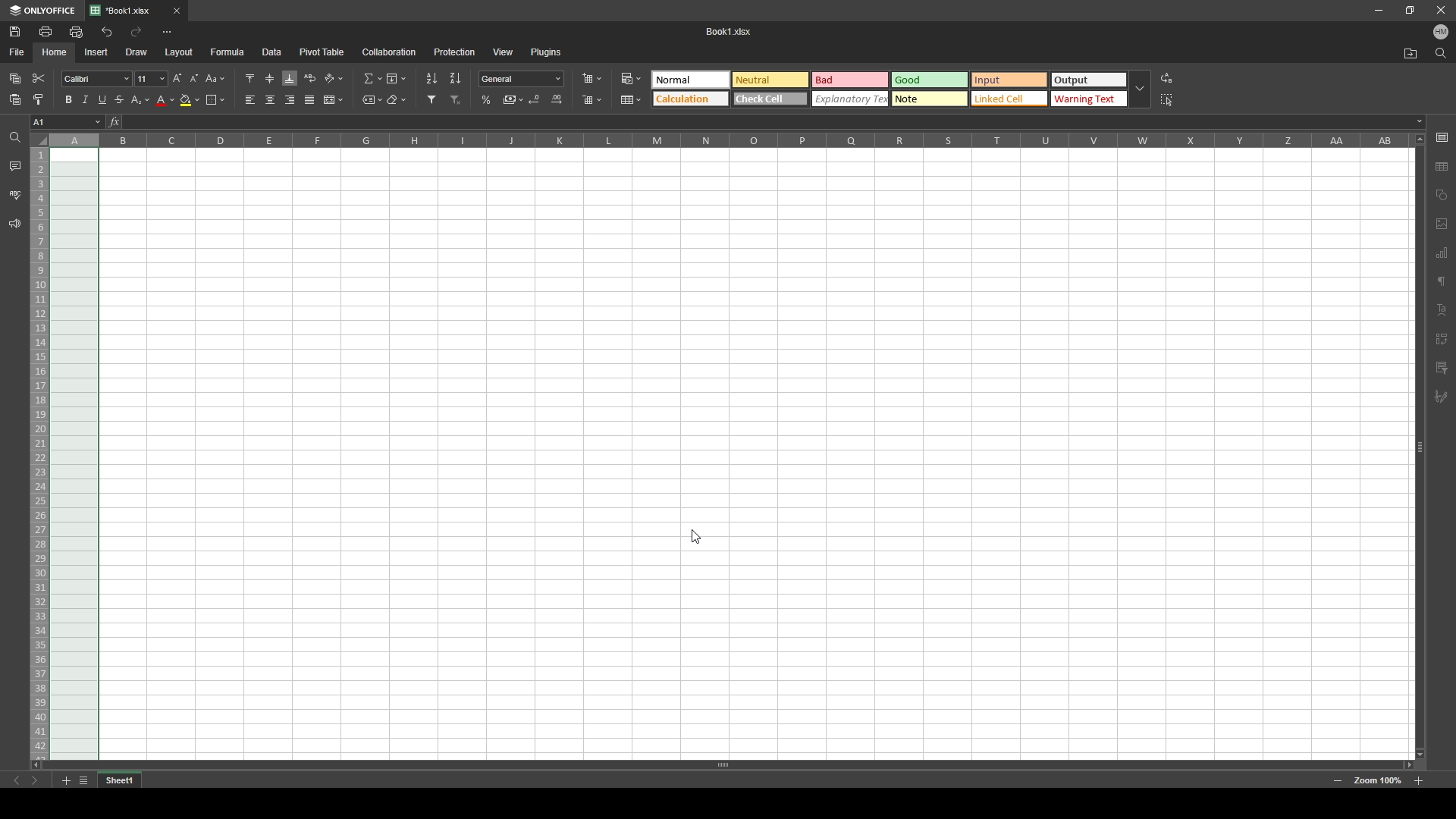 This screenshot has width=1456, height=819. I want to click on remove filter, so click(457, 99).